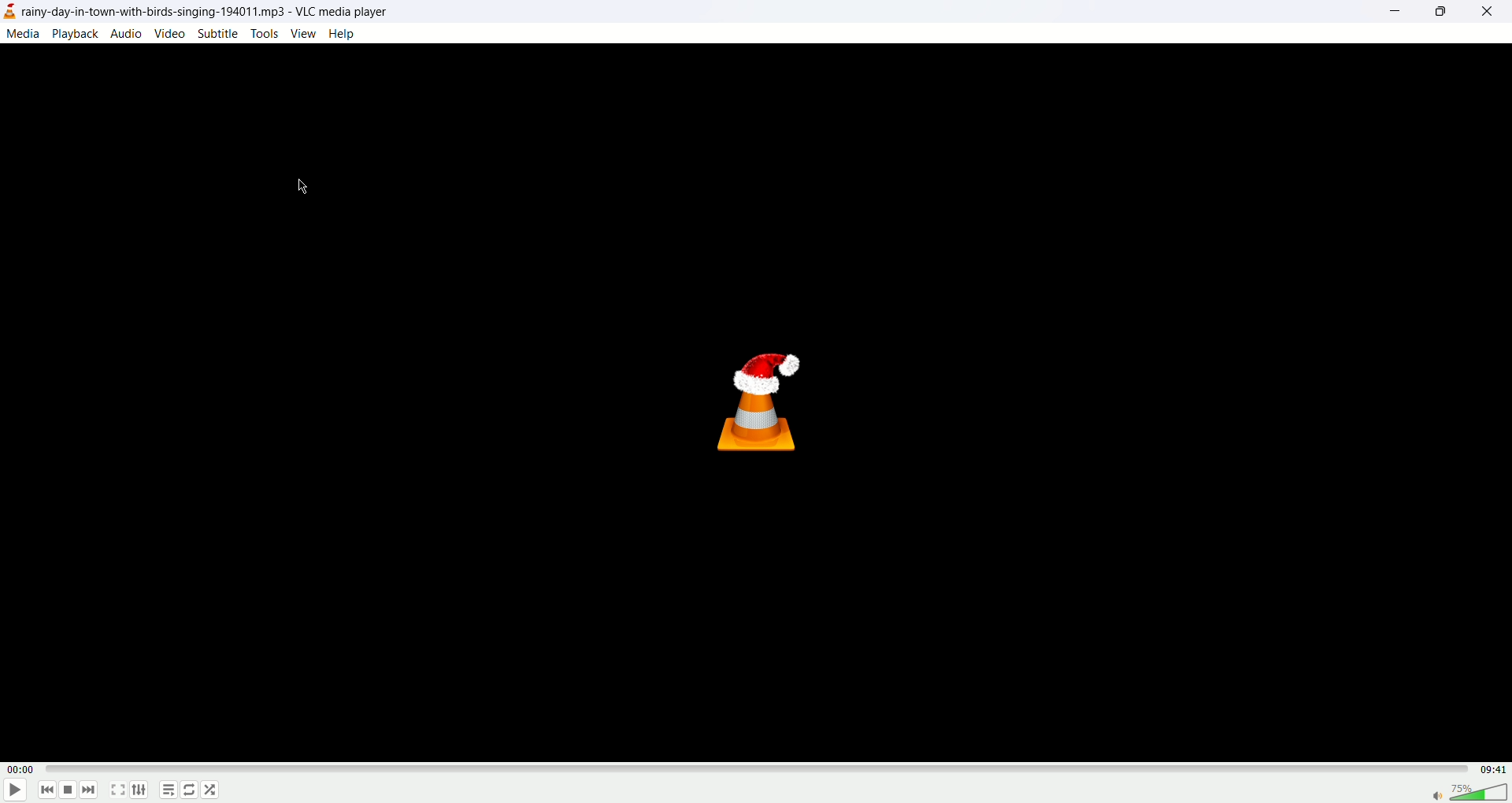 The height and width of the screenshot is (803, 1512). Describe the element at coordinates (342, 32) in the screenshot. I see `Help` at that location.